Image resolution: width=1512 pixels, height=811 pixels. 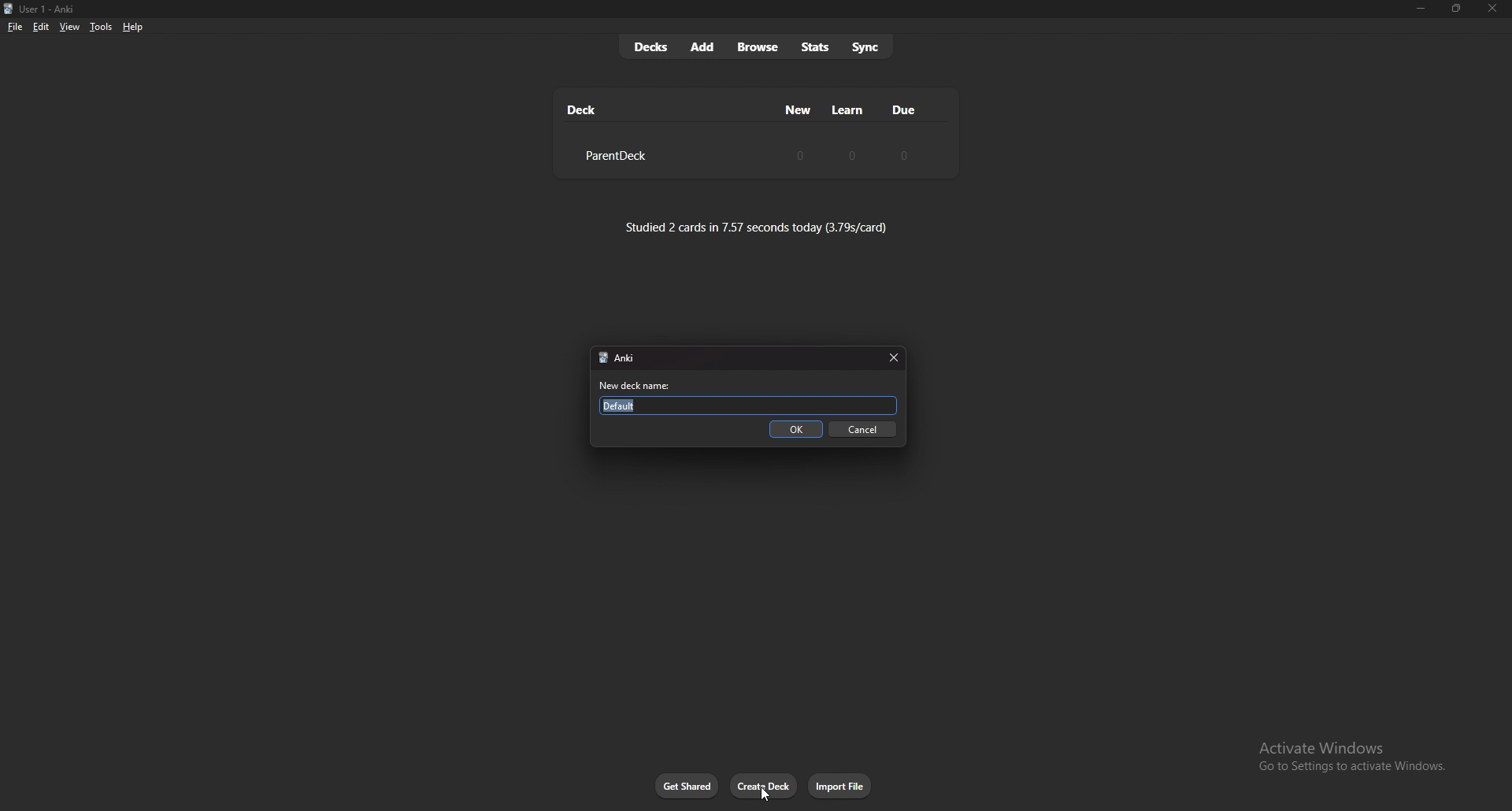 I want to click on learn, so click(x=848, y=110).